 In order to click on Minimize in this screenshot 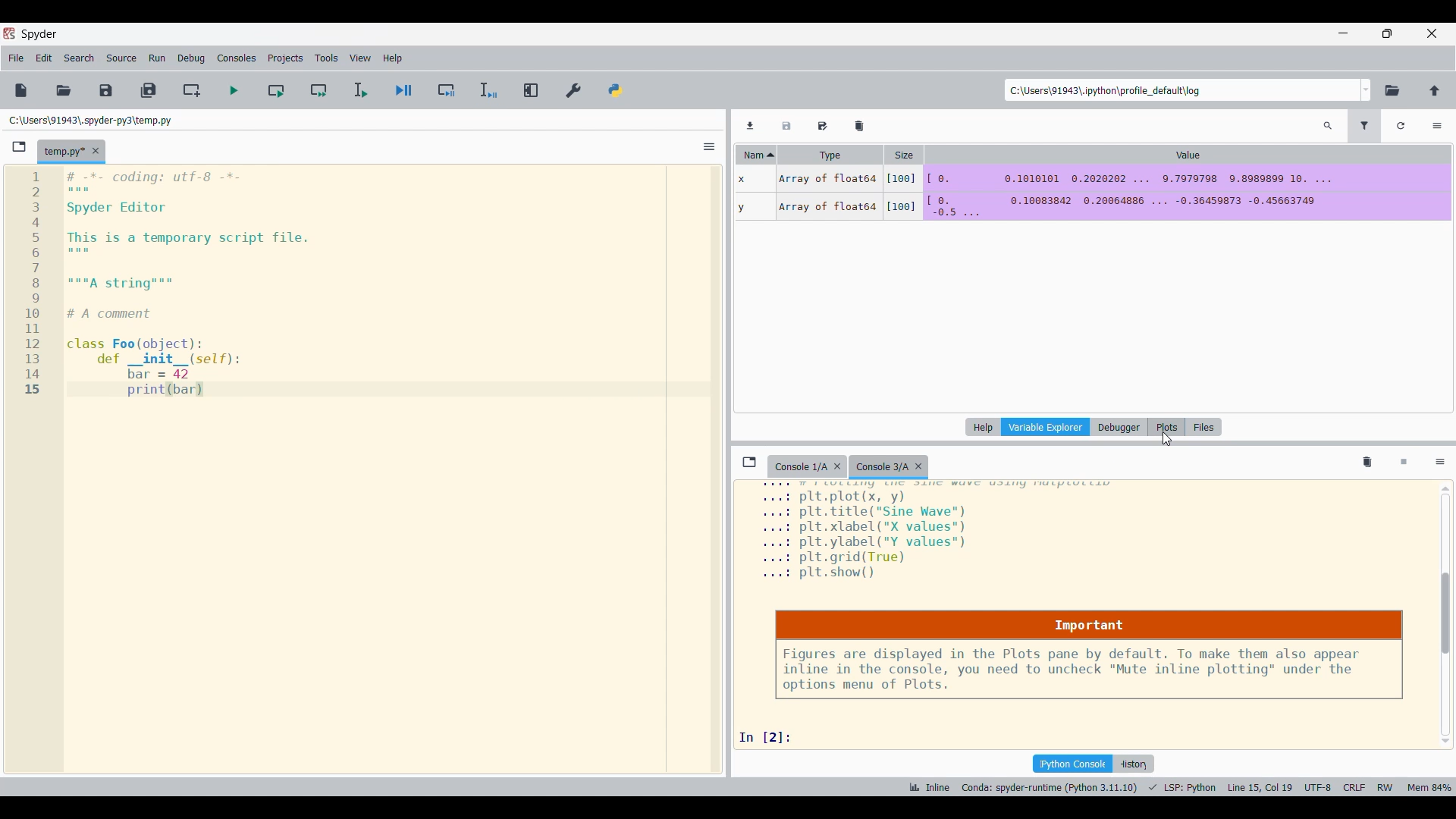, I will do `click(1345, 33)`.